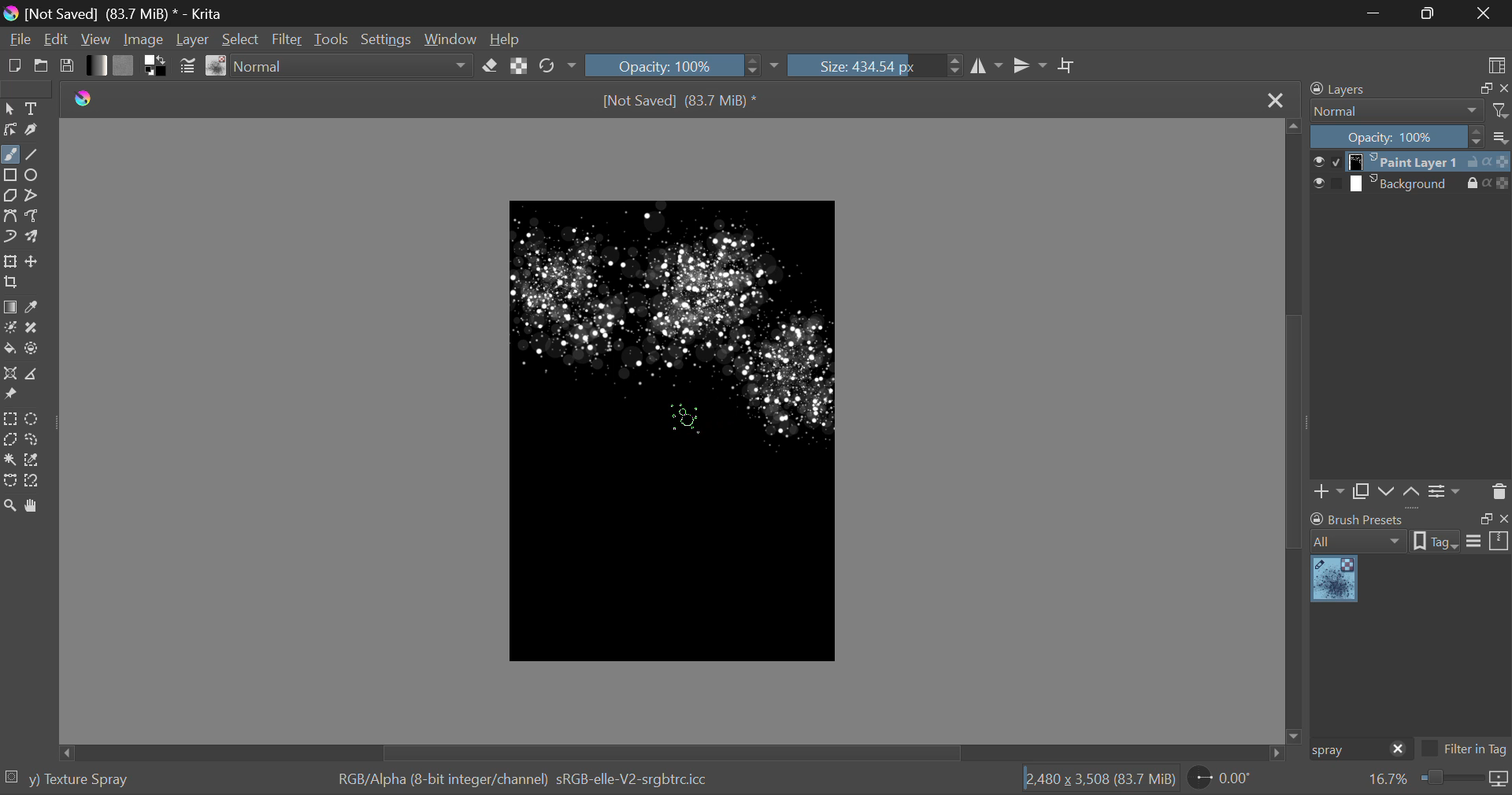  I want to click on Filter in Tag, so click(1465, 751).